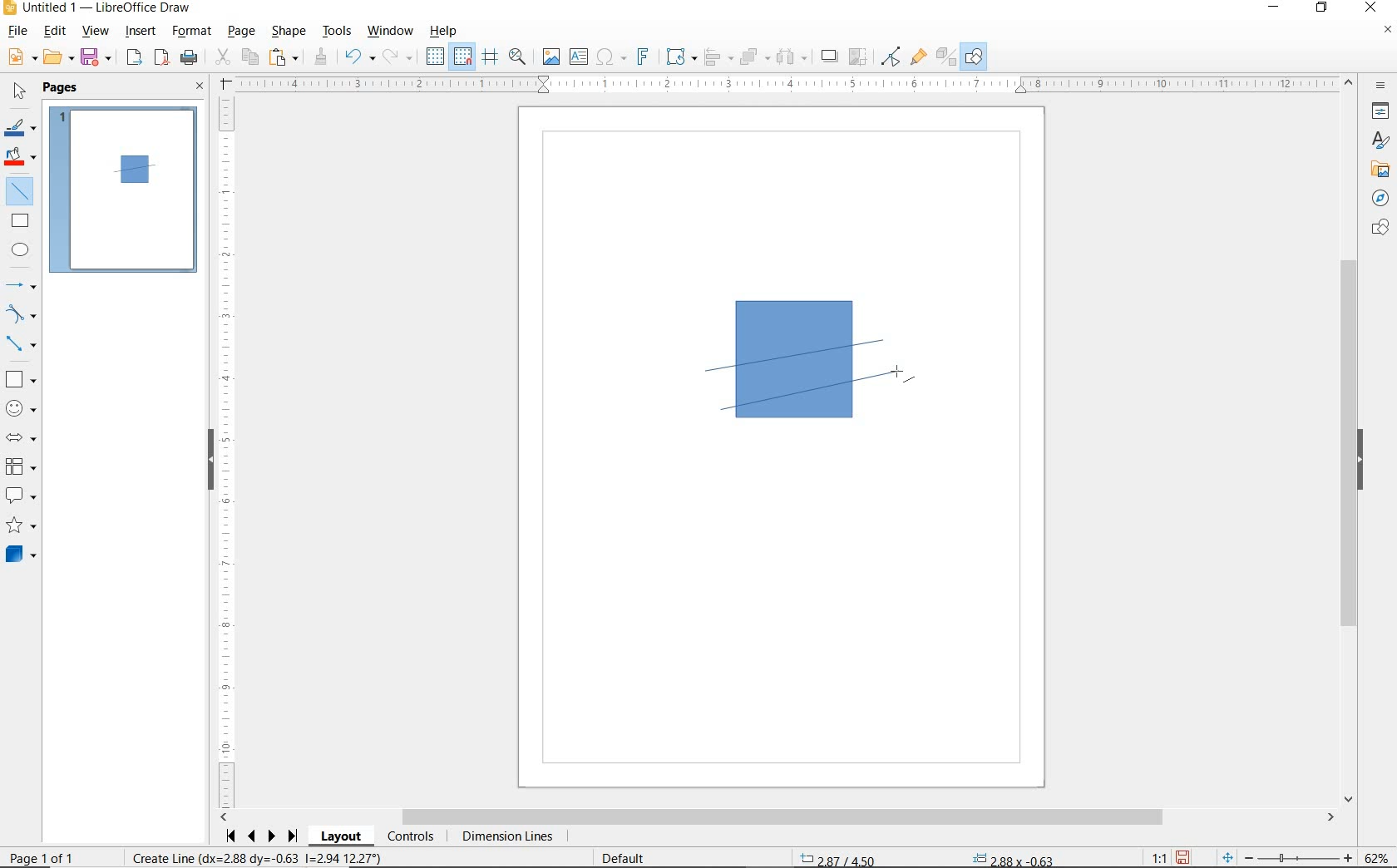 The height and width of the screenshot is (868, 1397). Describe the element at coordinates (17, 94) in the screenshot. I see `SELECT` at that location.